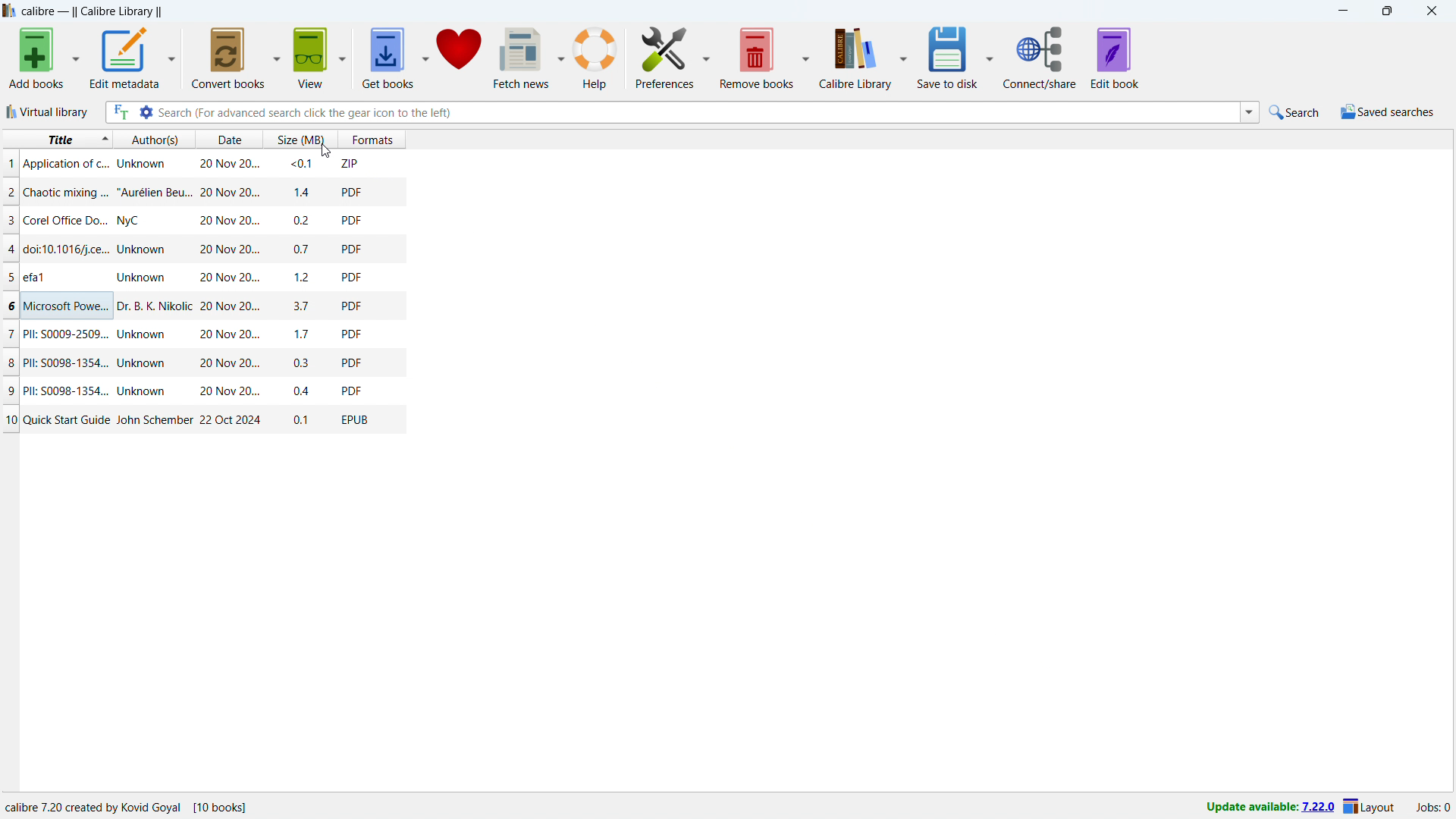  I want to click on edit metadata options, so click(172, 58).